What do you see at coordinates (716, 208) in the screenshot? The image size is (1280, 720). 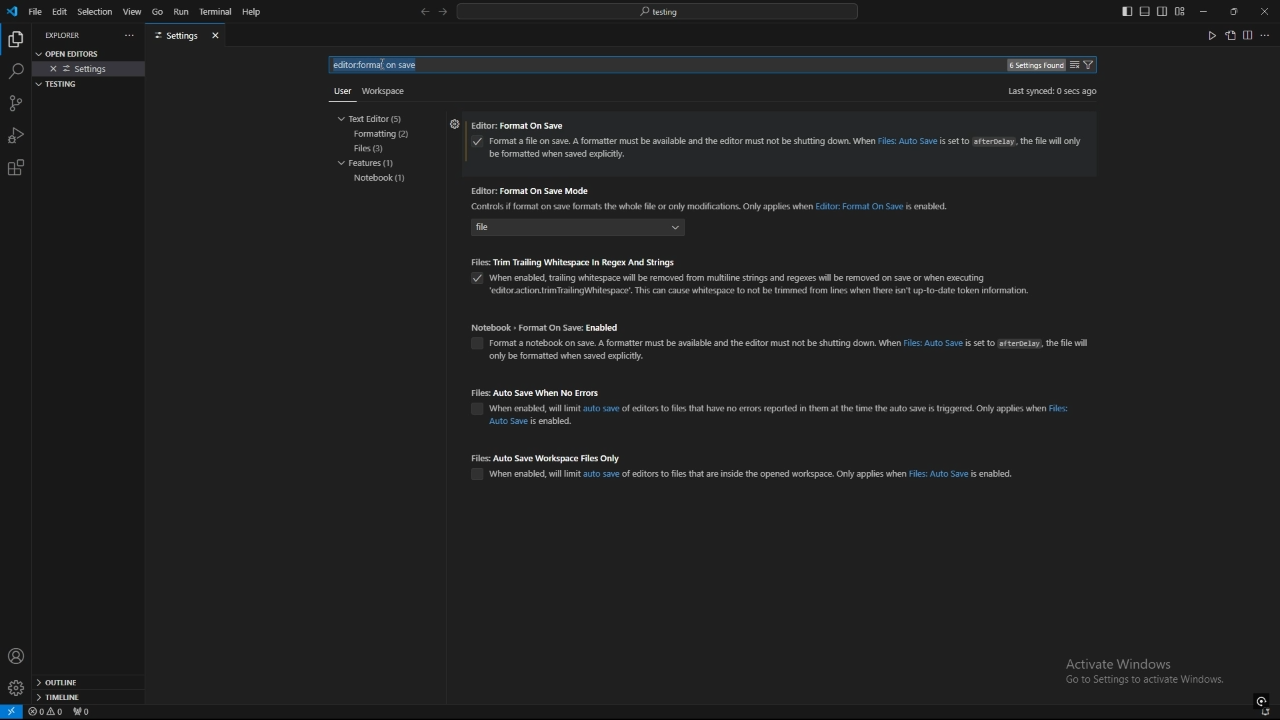 I see `controls if format on save formats the whole file or only modifications. Only applies when editor is enabled` at bounding box center [716, 208].